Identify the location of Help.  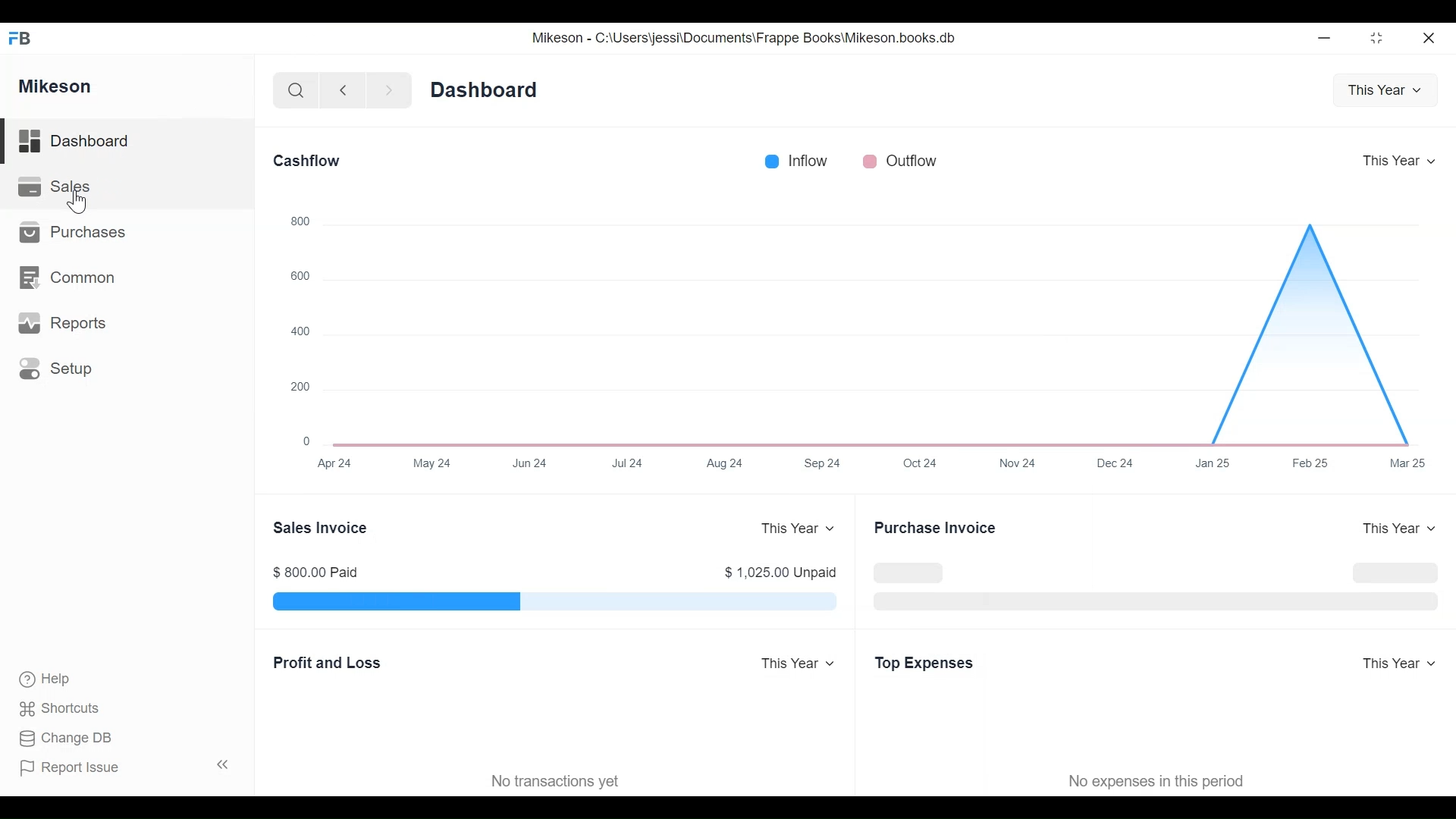
(56, 679).